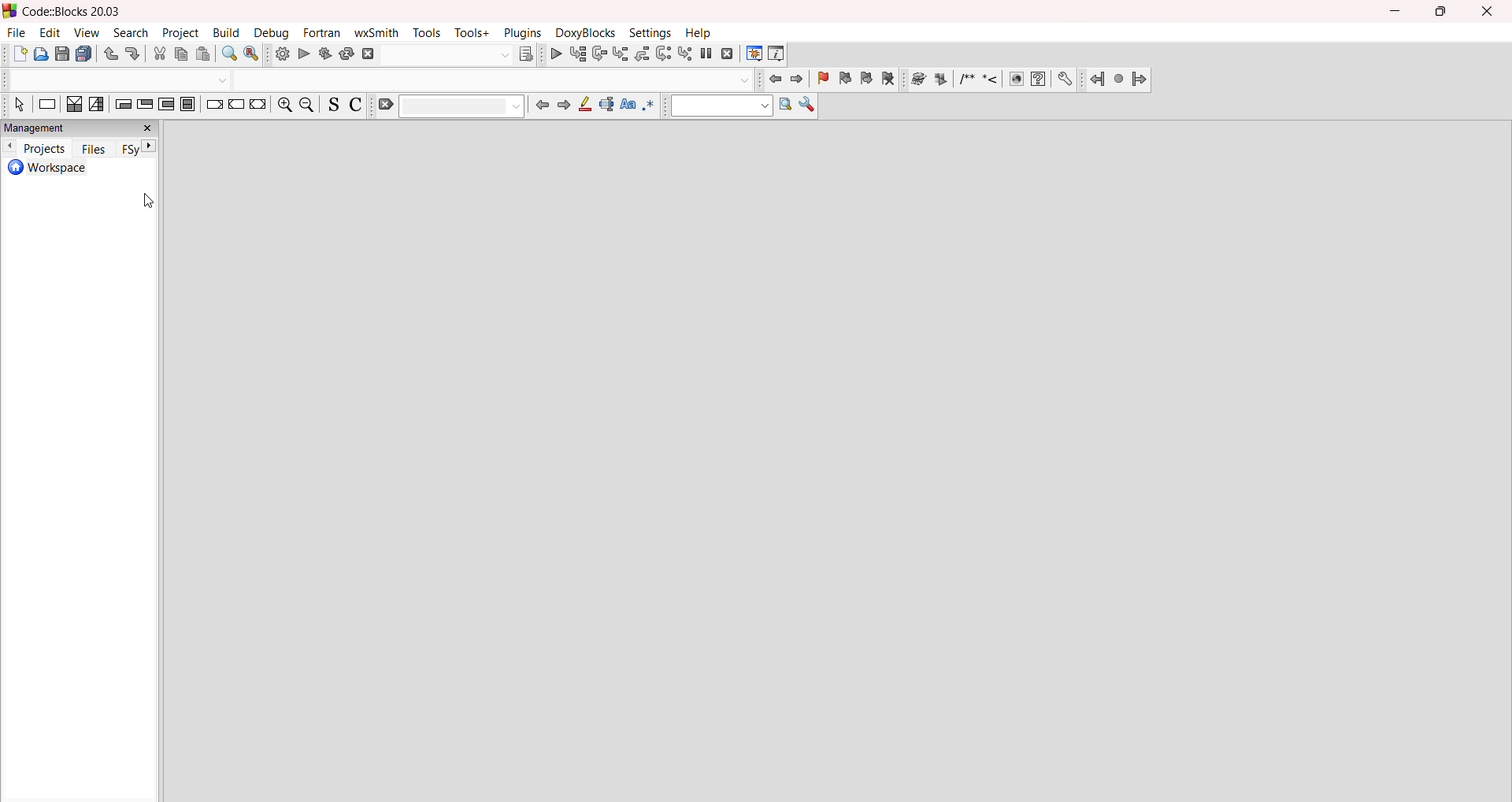  I want to click on next, so click(152, 147).